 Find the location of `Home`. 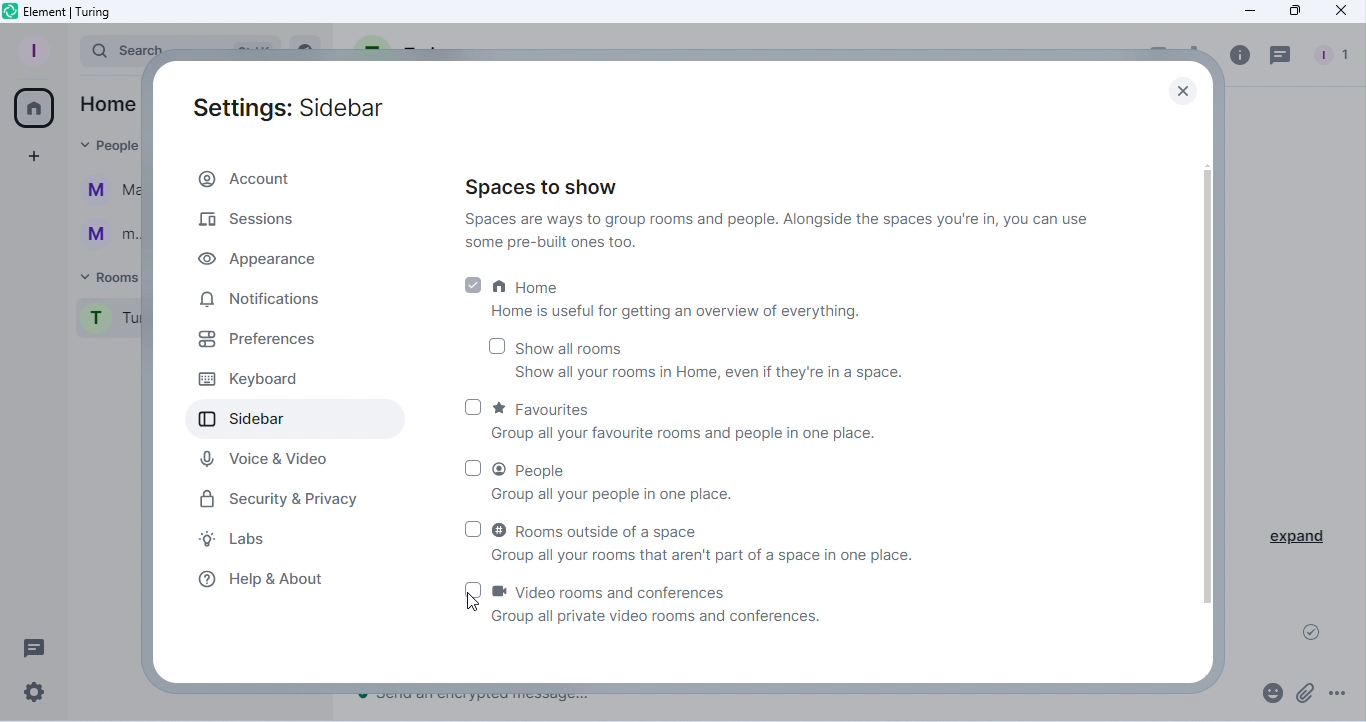

Home is located at coordinates (107, 107).